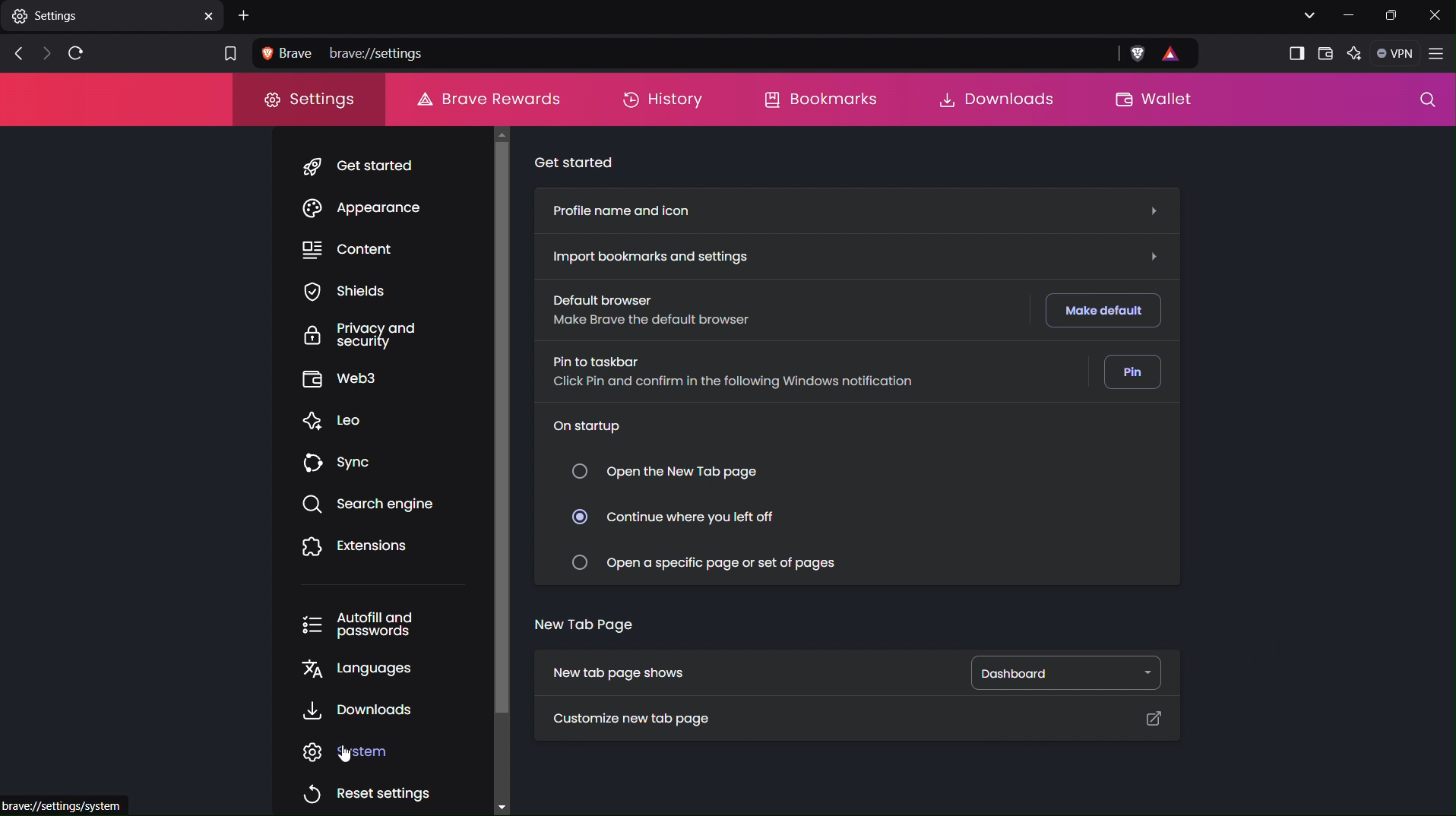 This screenshot has width=1456, height=816. I want to click on Settings, so click(311, 104).